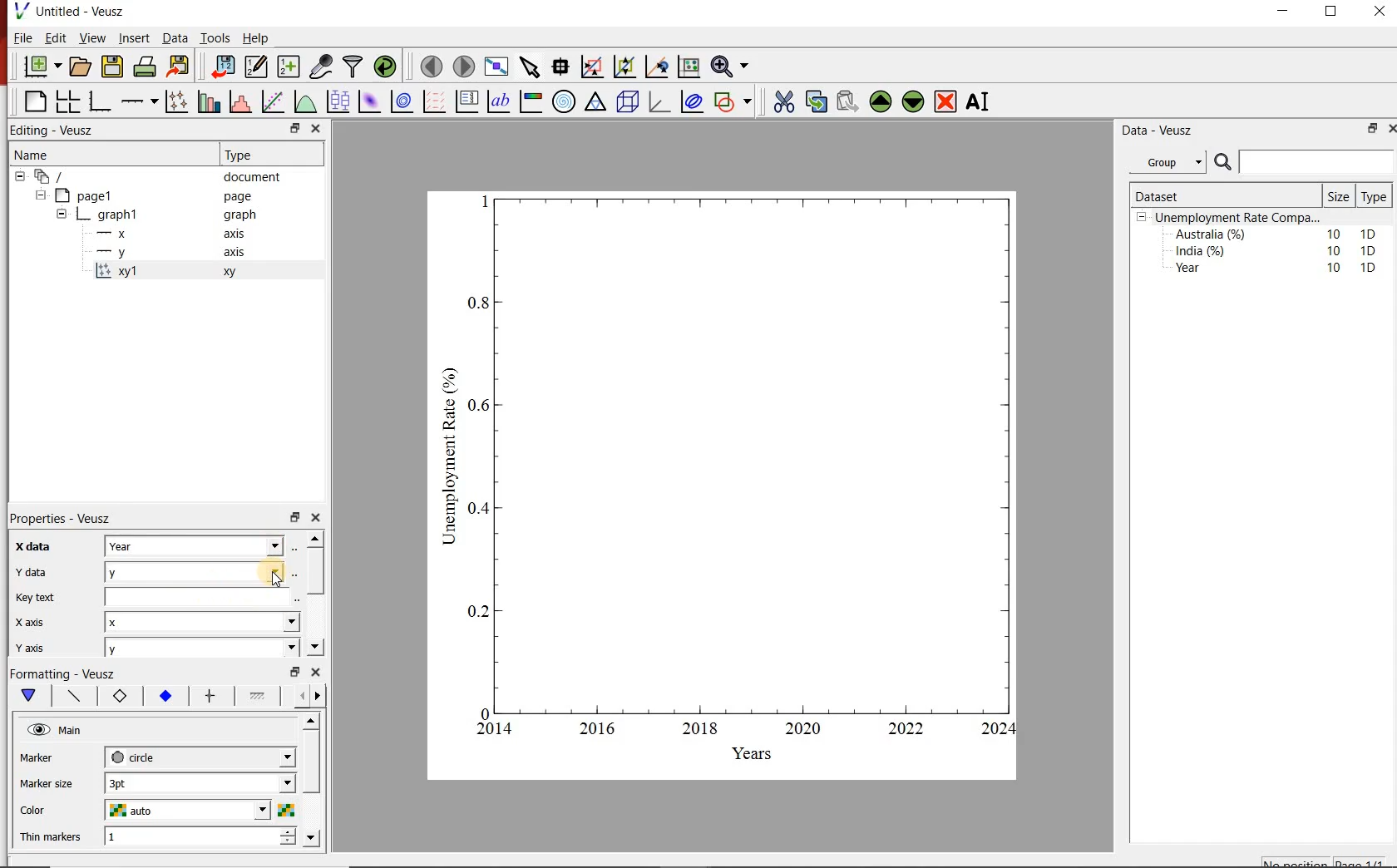  I want to click on bar graphs, so click(207, 101).